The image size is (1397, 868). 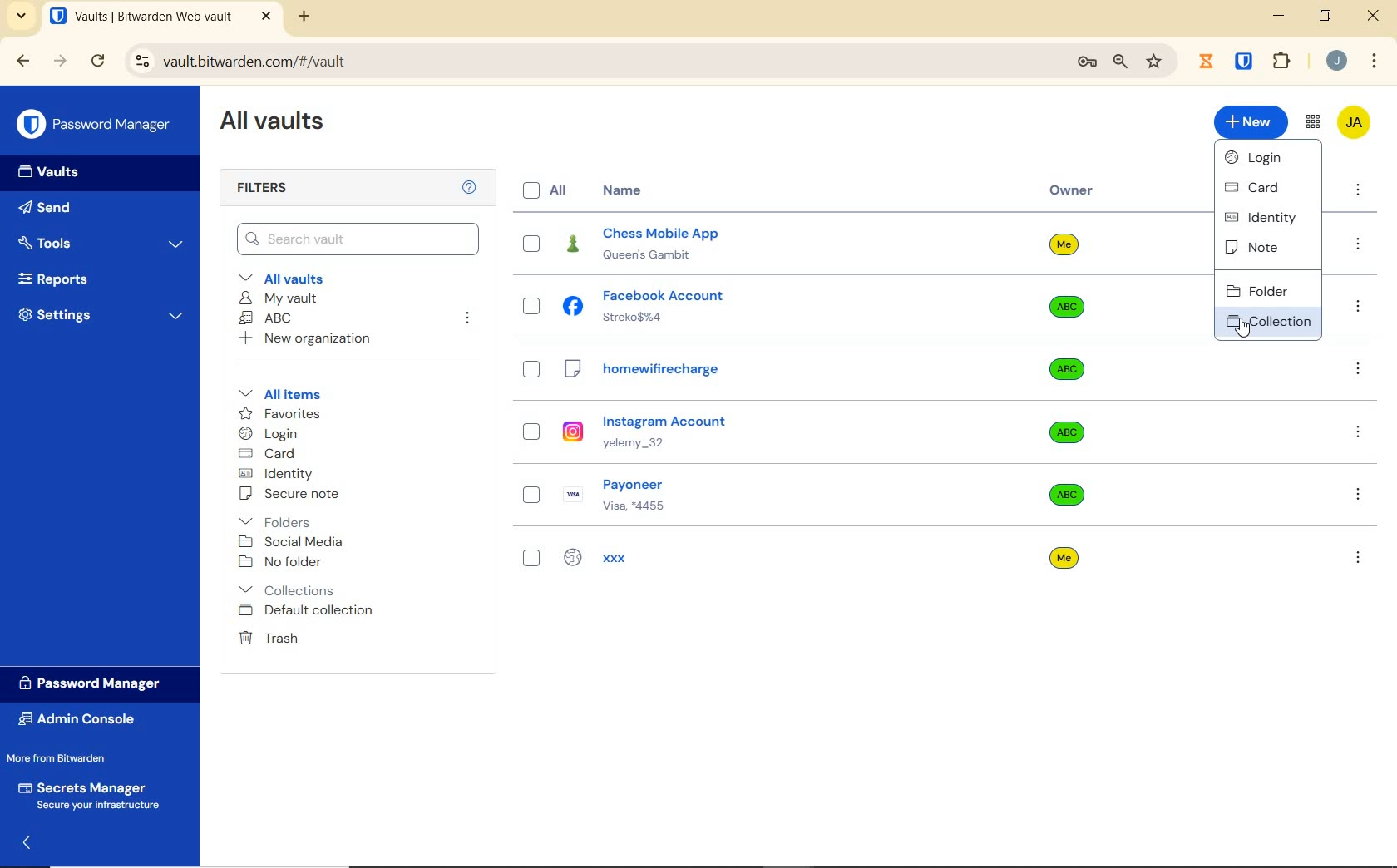 I want to click on My Vault, so click(x=283, y=298).